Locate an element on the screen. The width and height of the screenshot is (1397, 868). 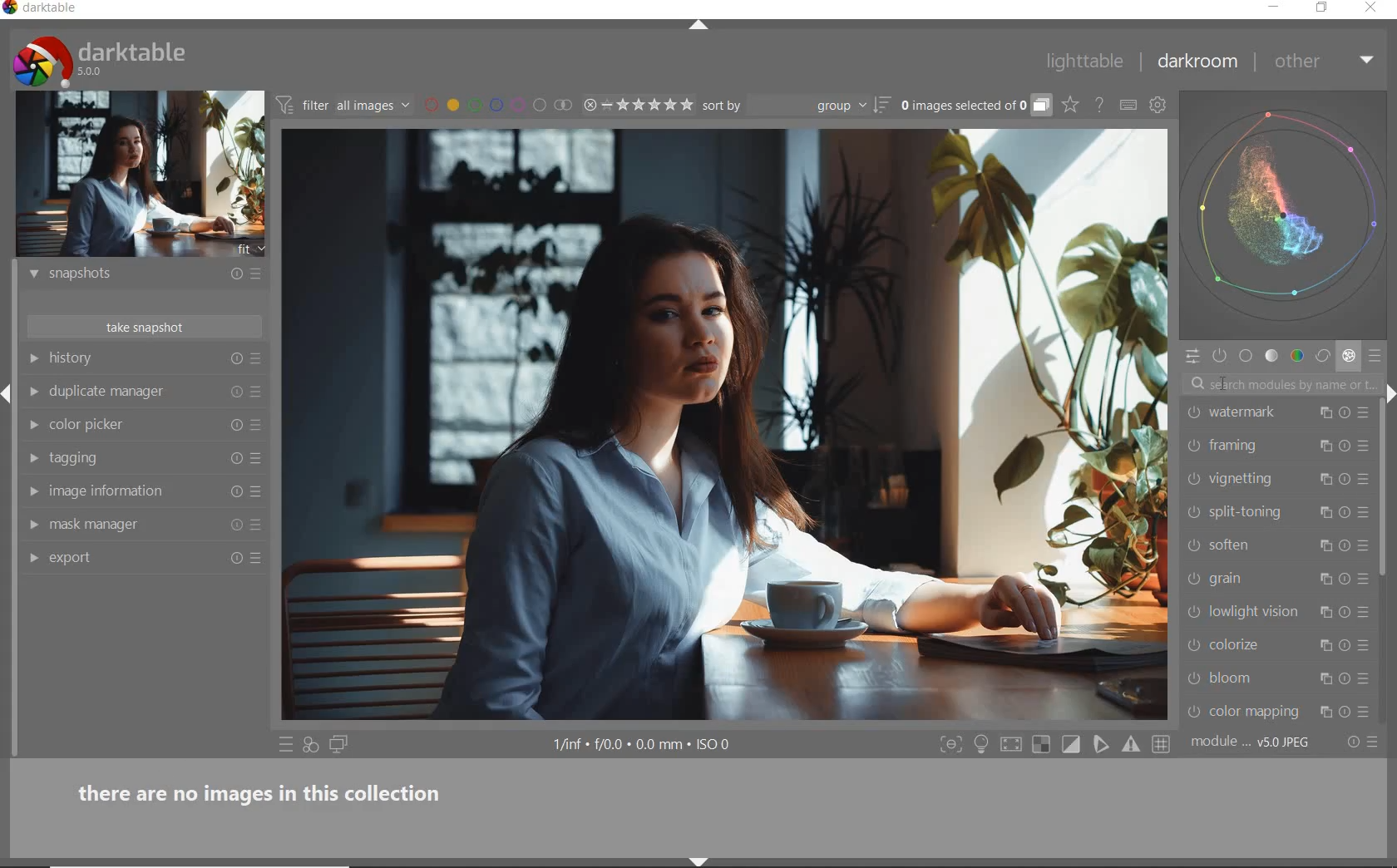
image preview is located at coordinates (141, 175).